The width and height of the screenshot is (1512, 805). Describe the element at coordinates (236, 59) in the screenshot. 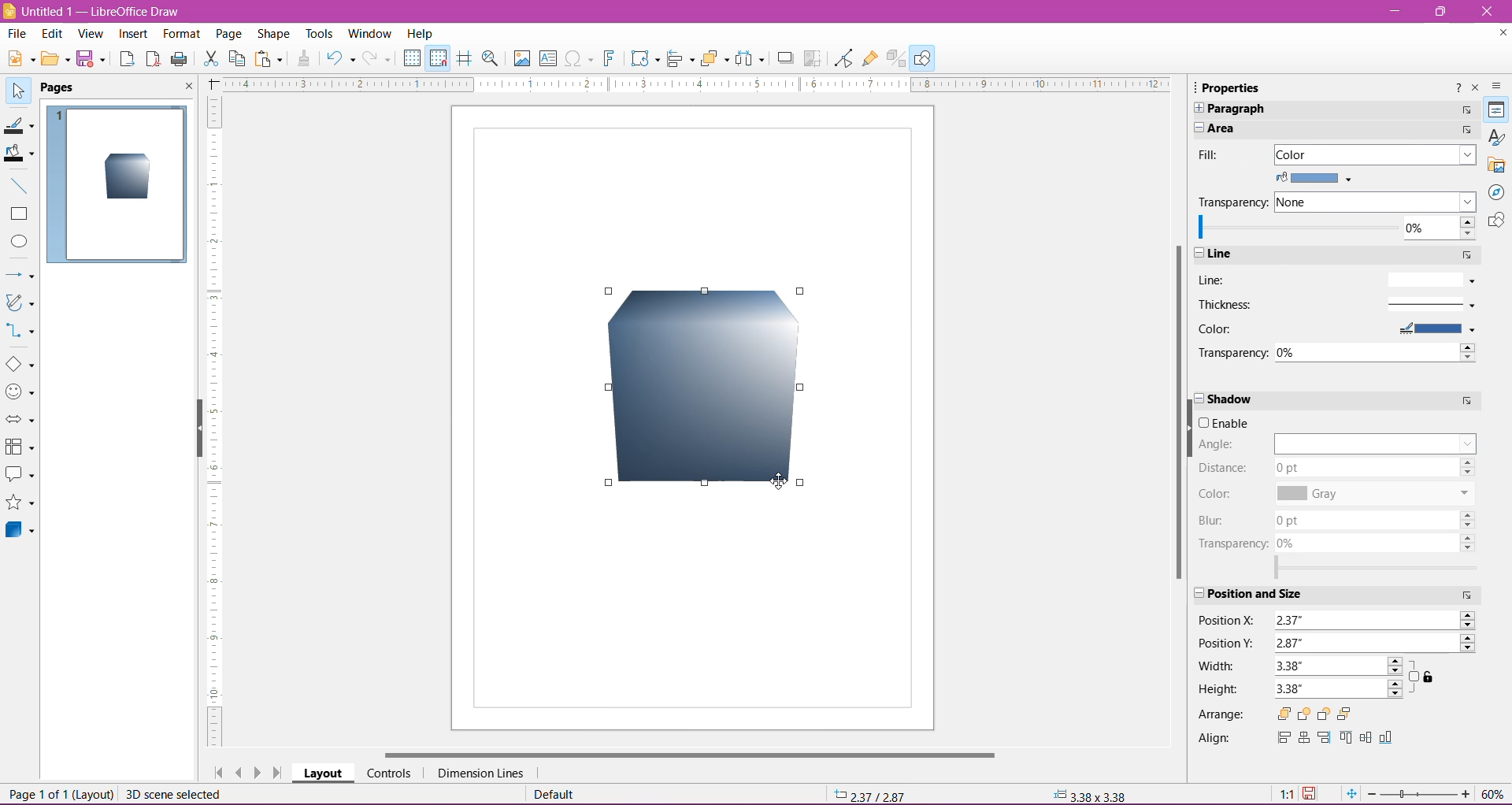

I see `Copy` at that location.